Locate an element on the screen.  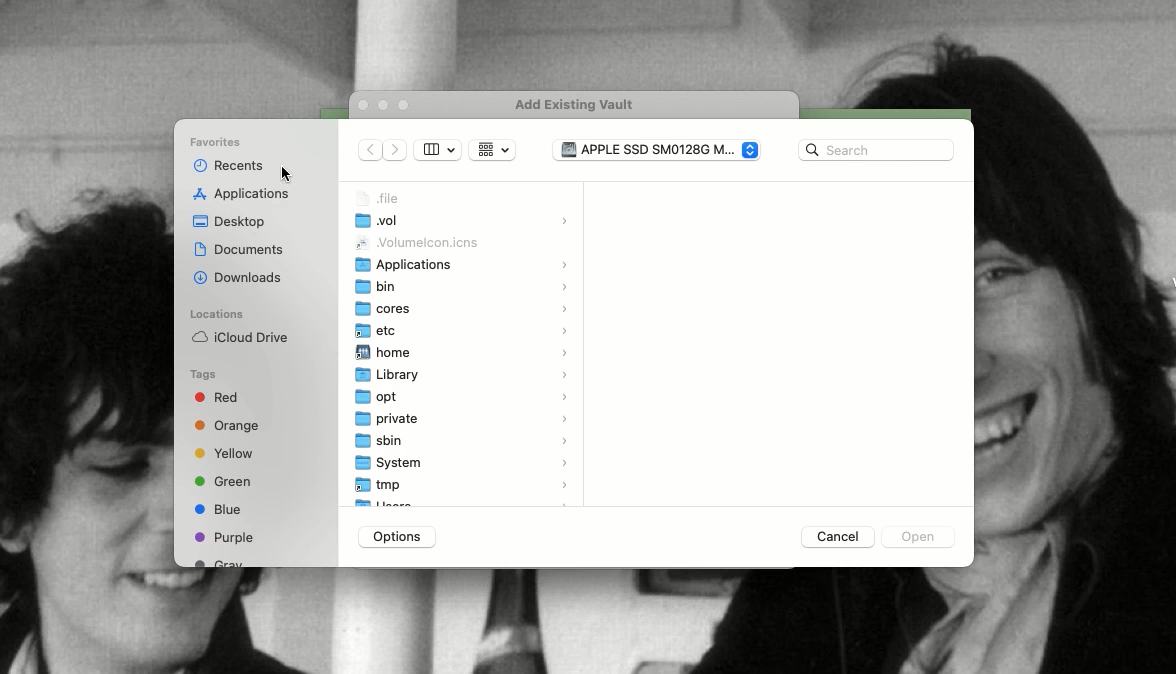
iCloud Drive is located at coordinates (239, 337).